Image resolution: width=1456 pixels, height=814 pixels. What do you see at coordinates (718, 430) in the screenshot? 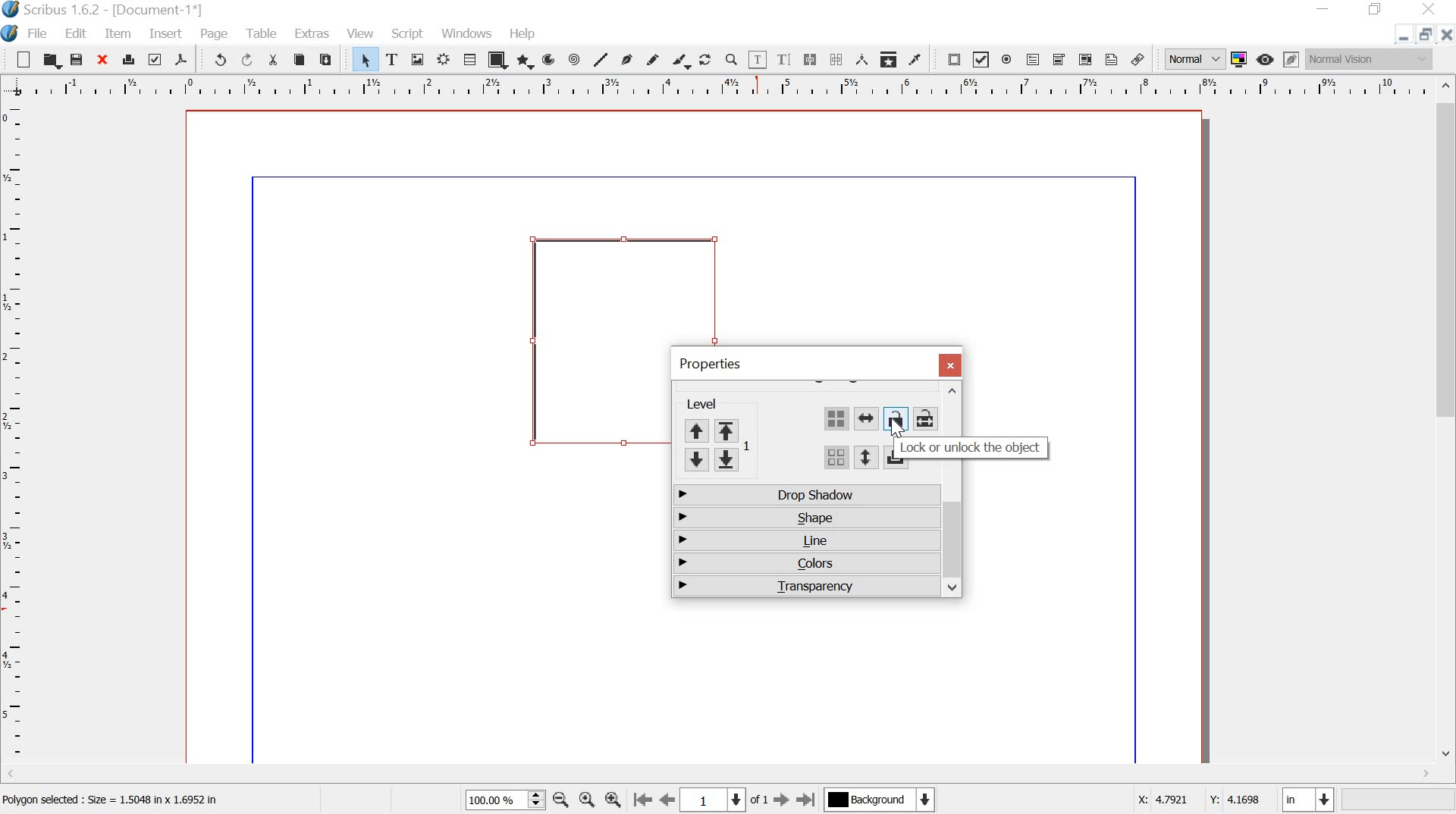
I see `level up` at bounding box center [718, 430].